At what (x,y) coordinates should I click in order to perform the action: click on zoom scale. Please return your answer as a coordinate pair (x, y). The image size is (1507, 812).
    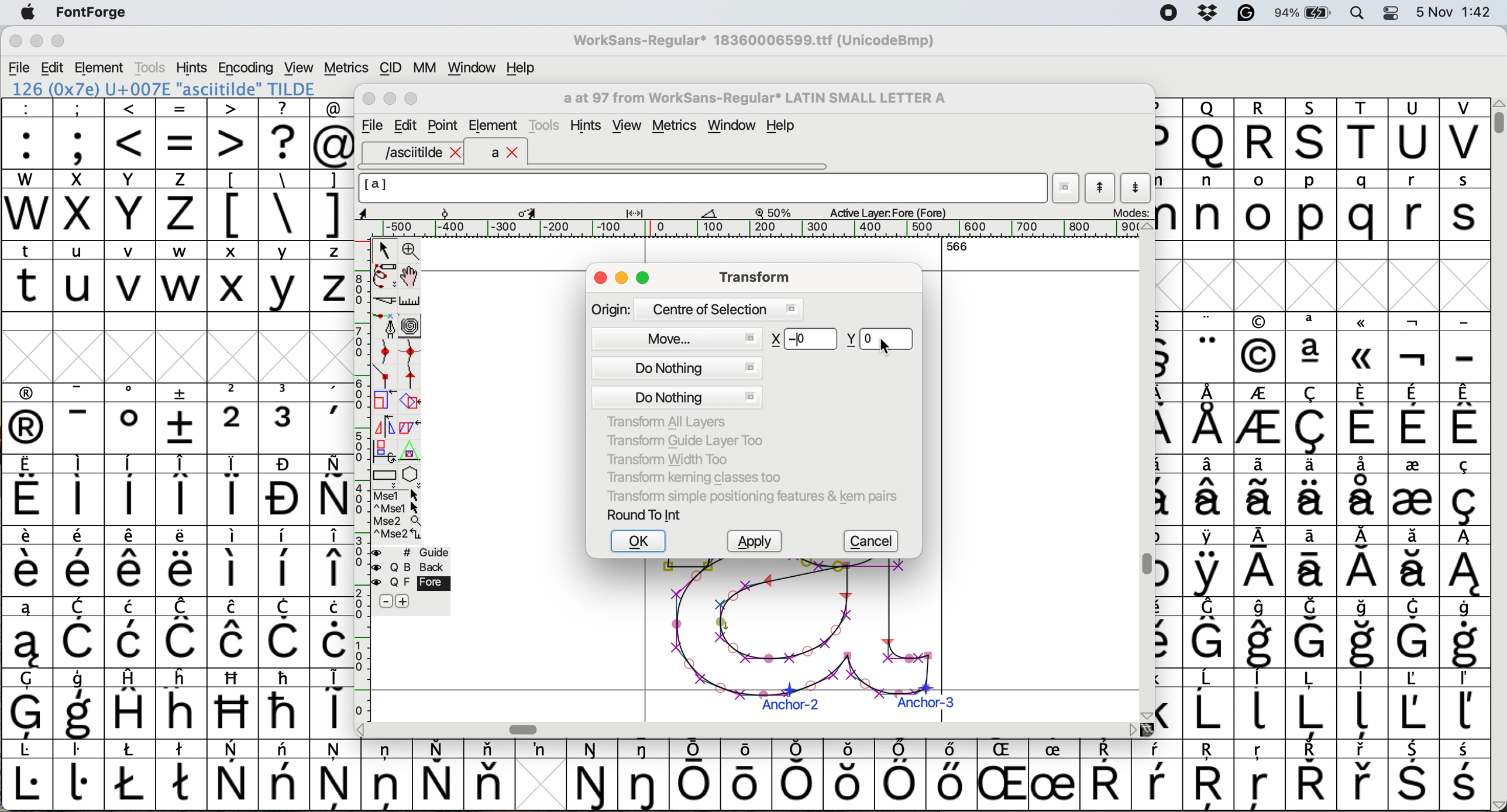
    Looking at the image, I should click on (777, 212).